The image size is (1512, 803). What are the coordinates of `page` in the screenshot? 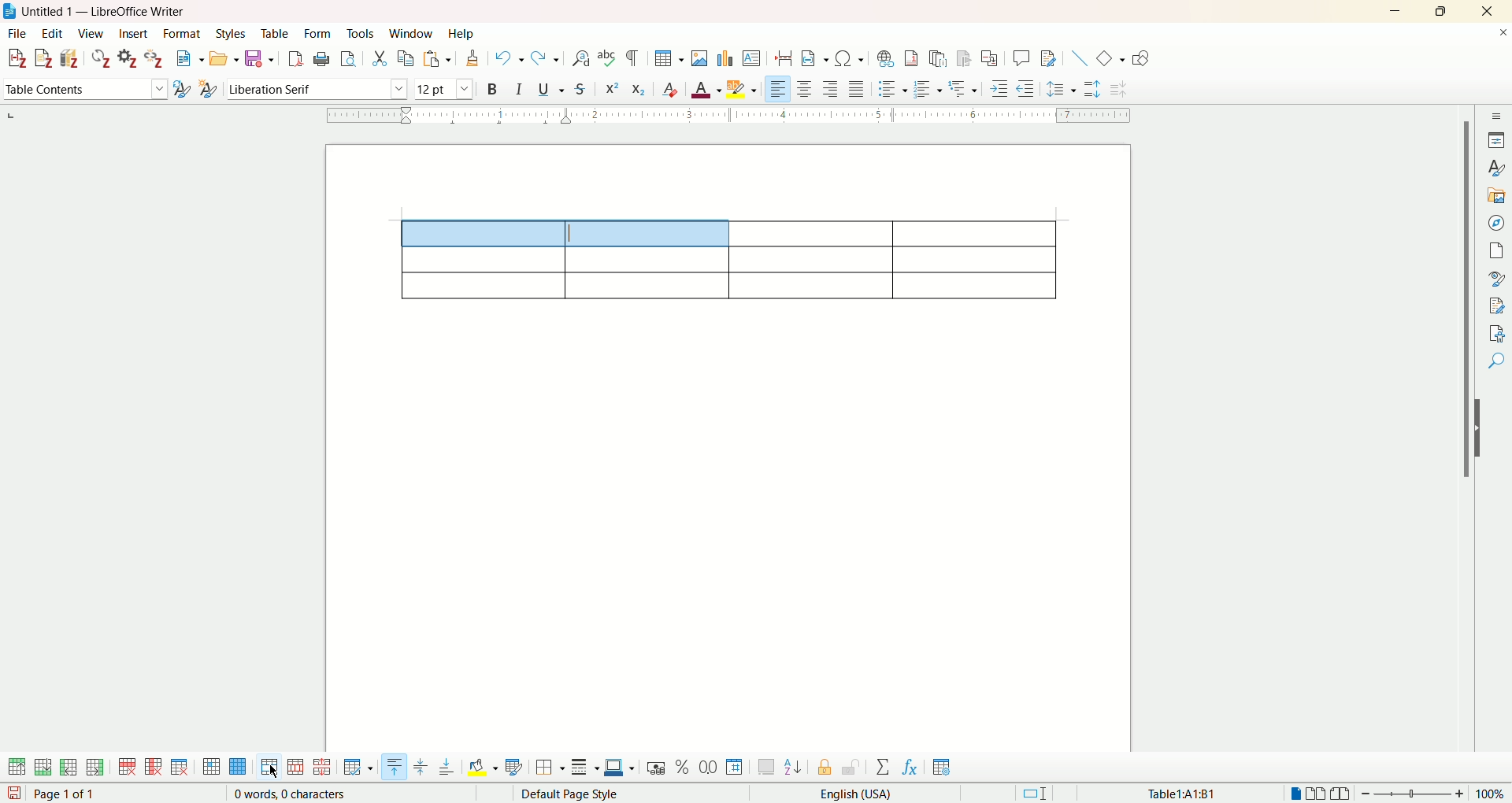 It's located at (1494, 252).